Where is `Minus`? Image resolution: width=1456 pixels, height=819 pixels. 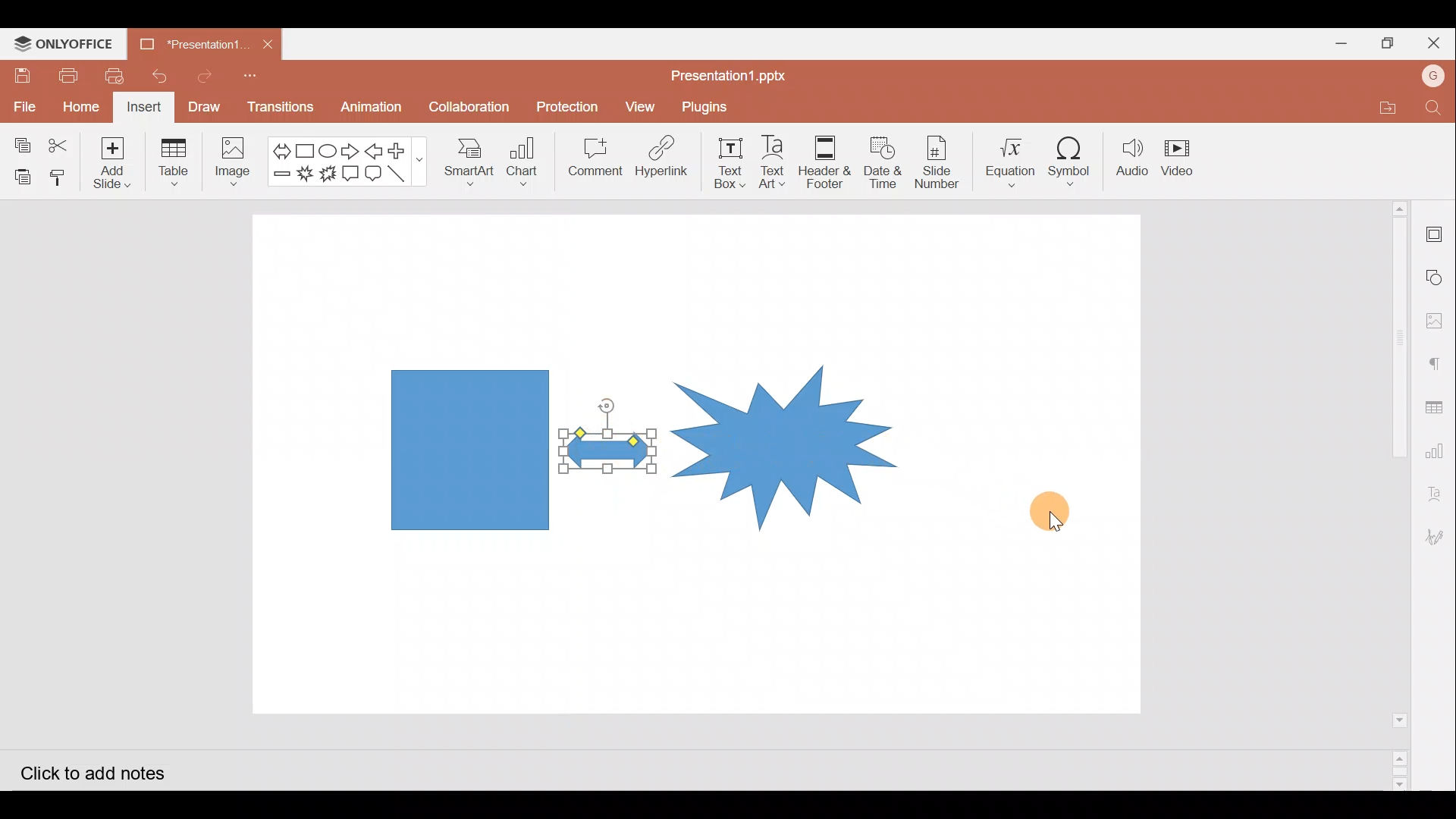 Minus is located at coordinates (279, 177).